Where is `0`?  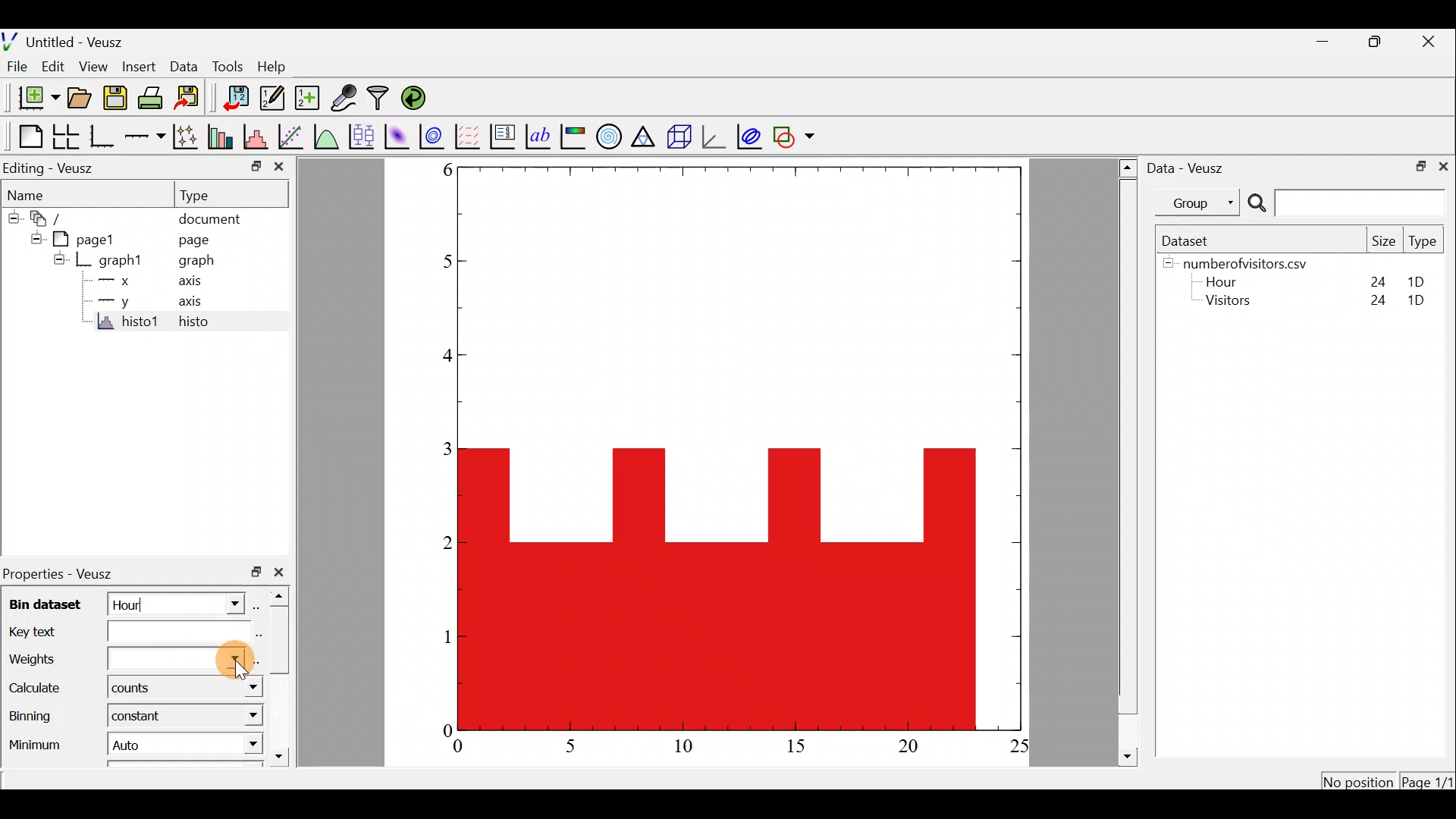
0 is located at coordinates (467, 747).